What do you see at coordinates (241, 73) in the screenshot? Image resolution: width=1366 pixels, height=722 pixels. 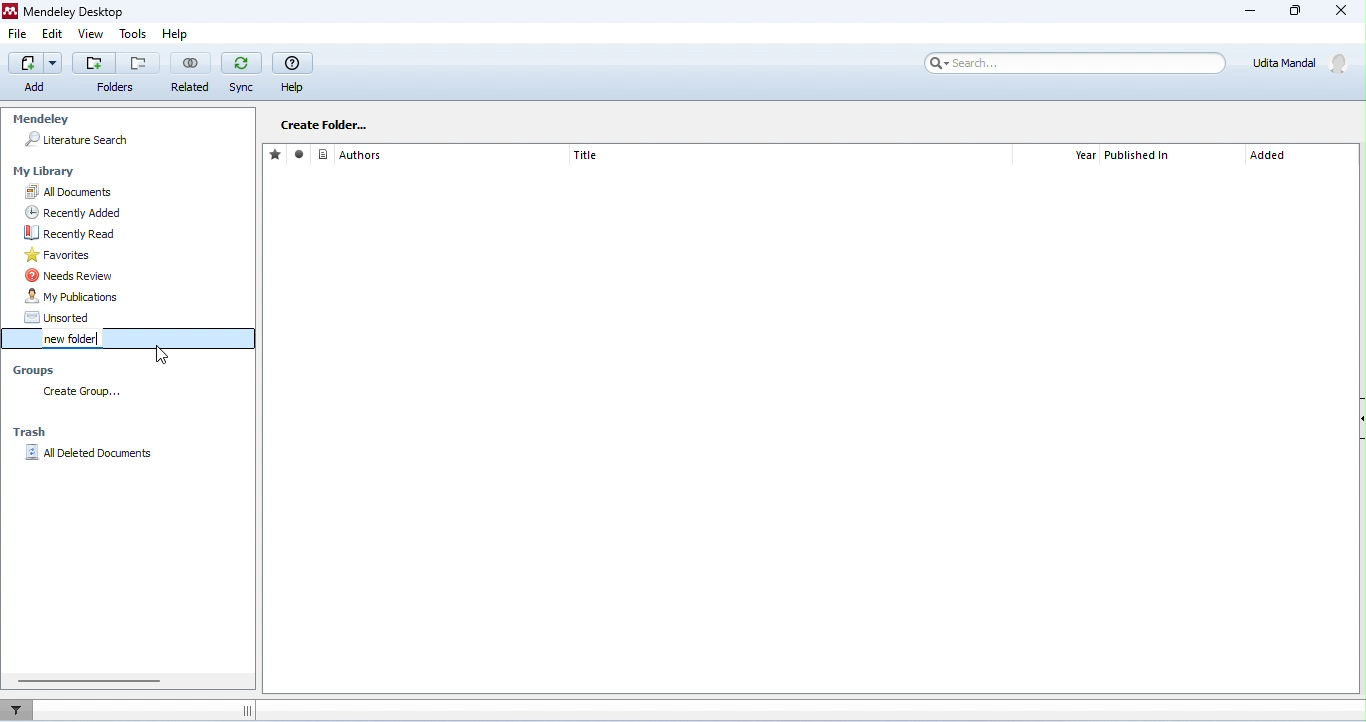 I see `sync` at bounding box center [241, 73].